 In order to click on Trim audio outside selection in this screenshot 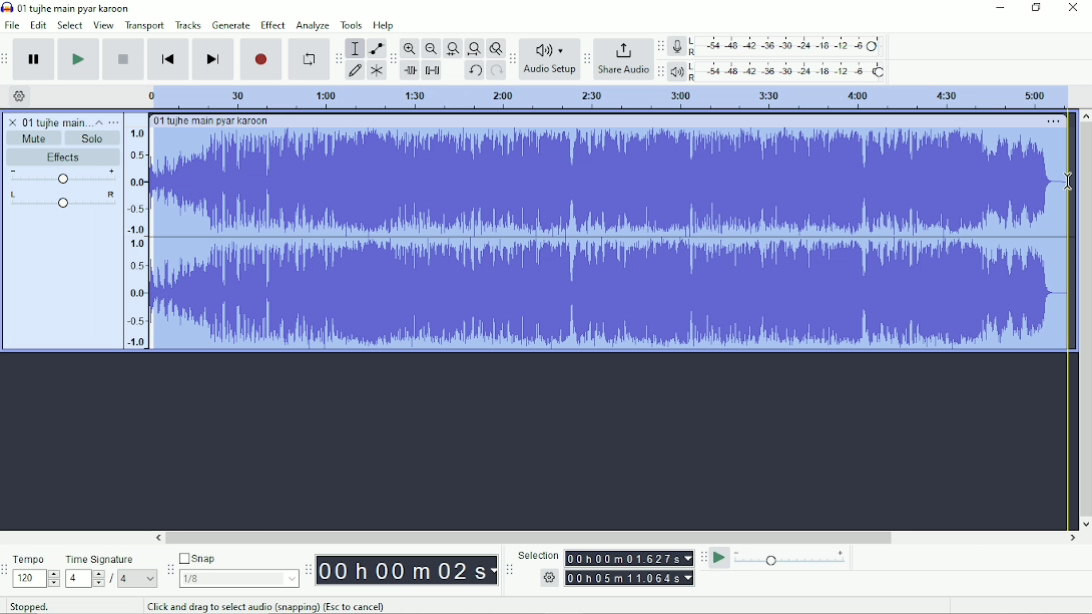, I will do `click(412, 71)`.